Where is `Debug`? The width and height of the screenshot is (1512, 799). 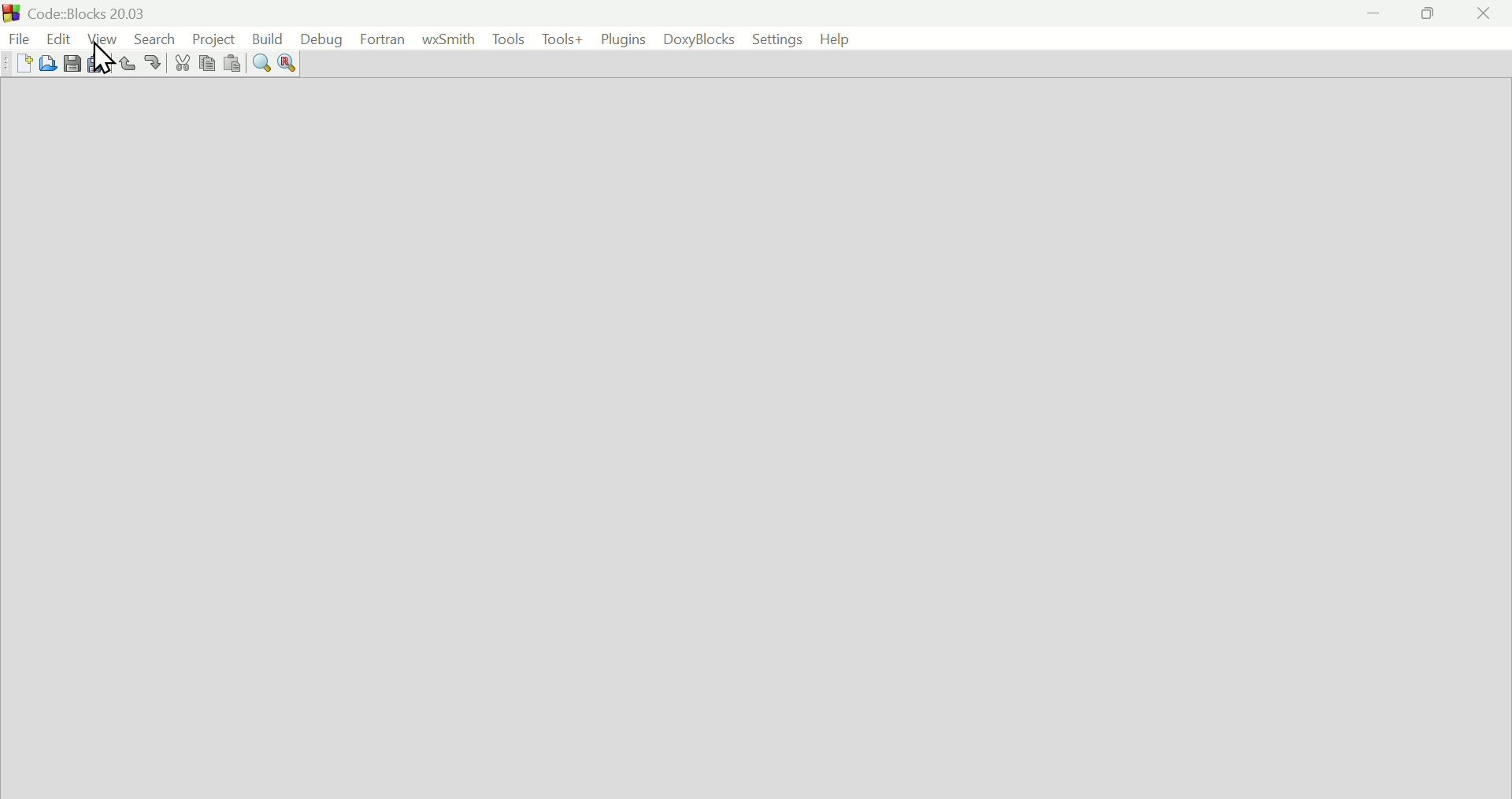 Debug is located at coordinates (320, 39).